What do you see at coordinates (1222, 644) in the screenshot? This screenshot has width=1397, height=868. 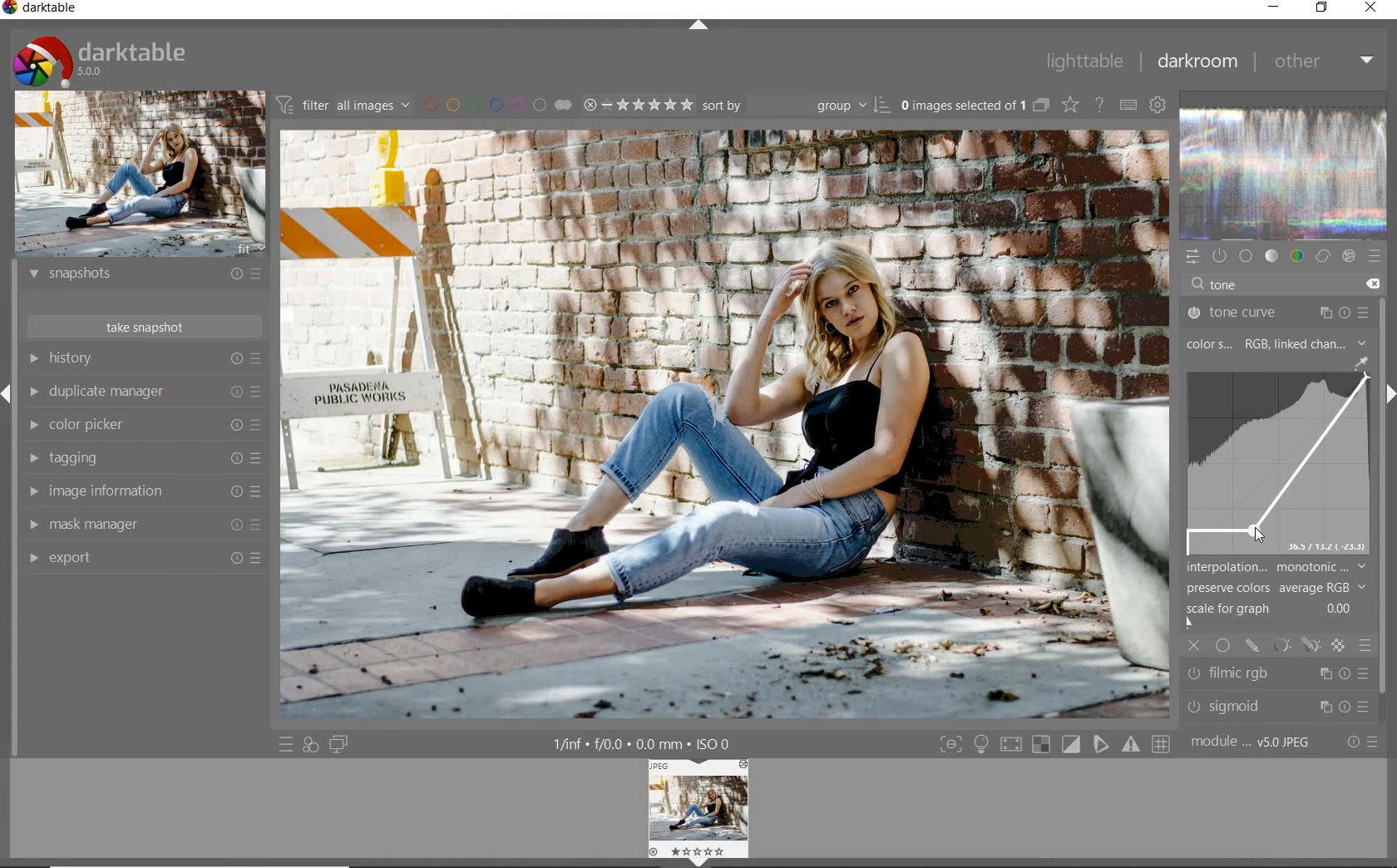 I see `uniformly` at bounding box center [1222, 644].